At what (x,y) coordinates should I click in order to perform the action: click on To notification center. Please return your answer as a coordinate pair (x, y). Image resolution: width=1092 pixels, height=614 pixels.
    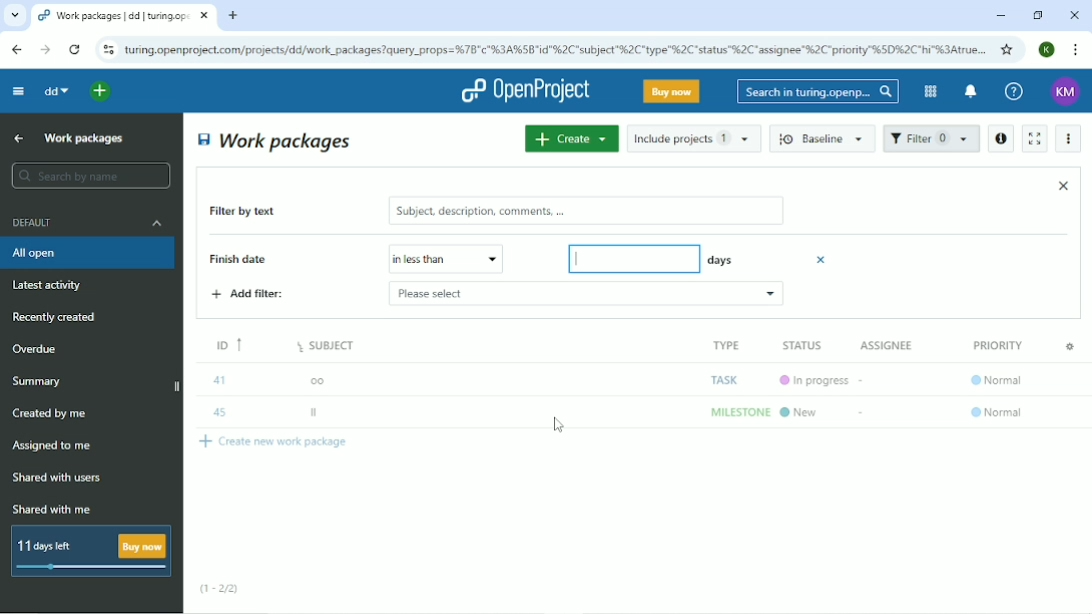
    Looking at the image, I should click on (969, 93).